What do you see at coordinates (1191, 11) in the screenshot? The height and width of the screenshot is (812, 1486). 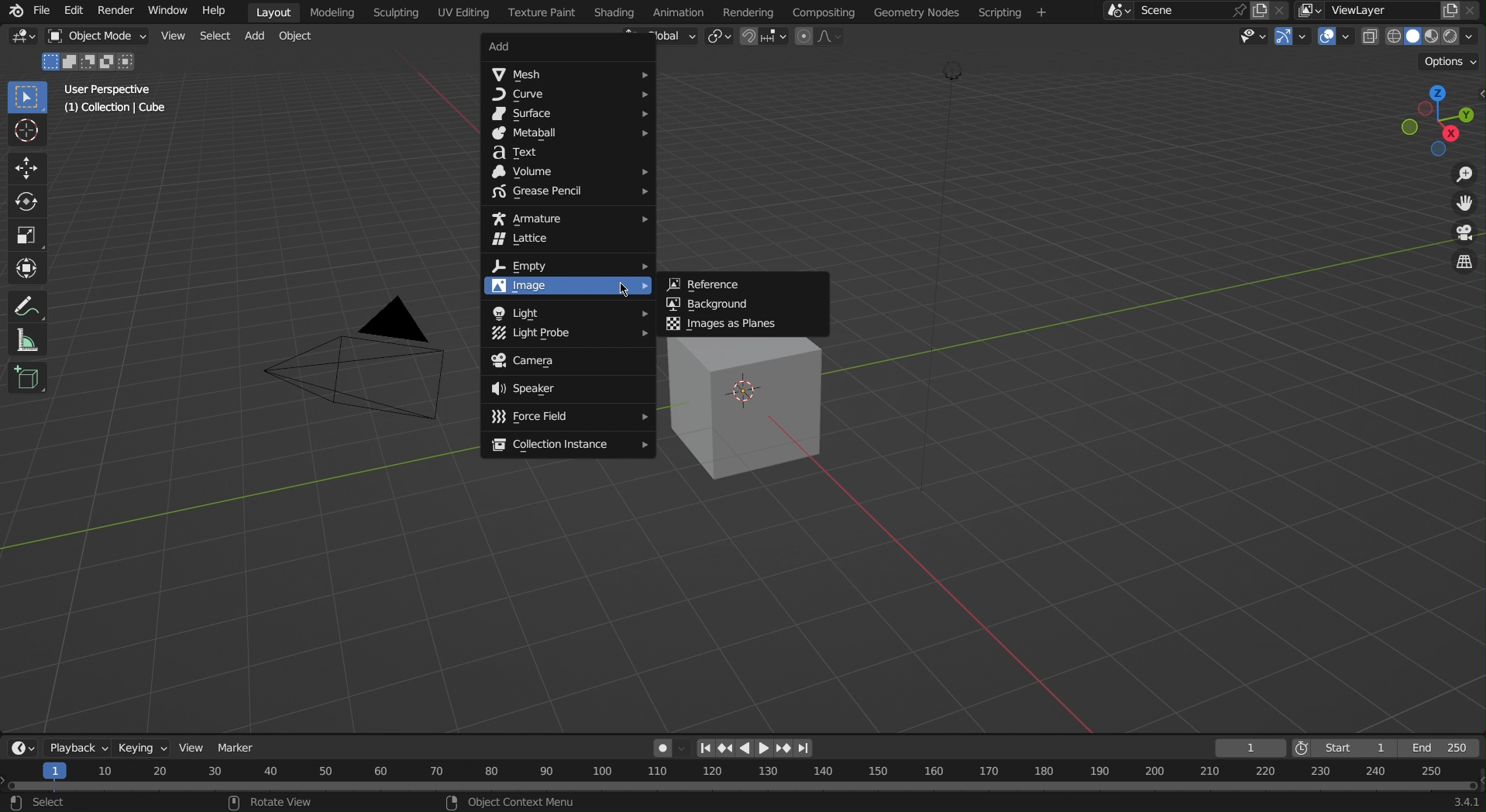 I see `Scene` at bounding box center [1191, 11].